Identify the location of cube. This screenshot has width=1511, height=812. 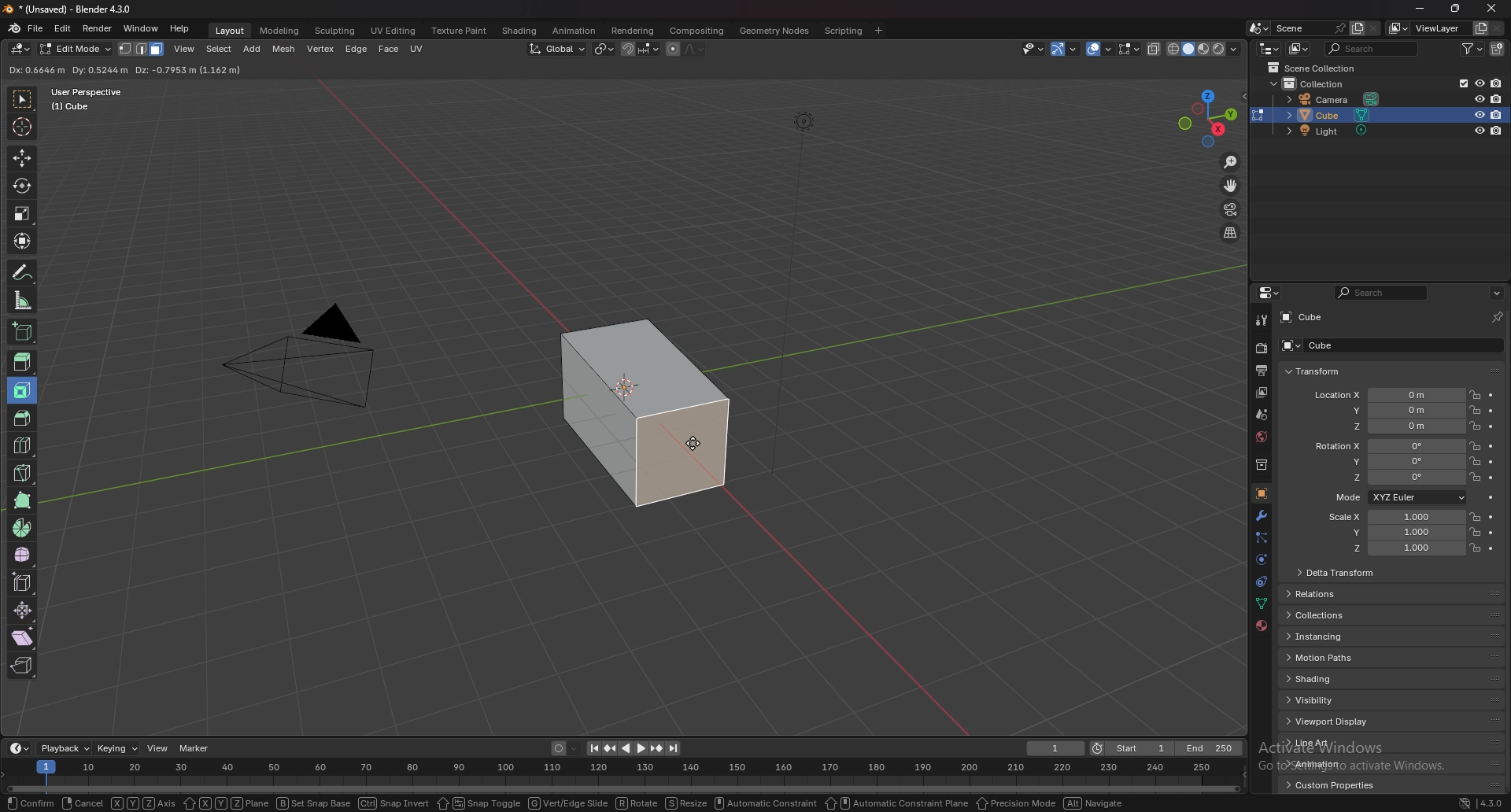
(645, 413).